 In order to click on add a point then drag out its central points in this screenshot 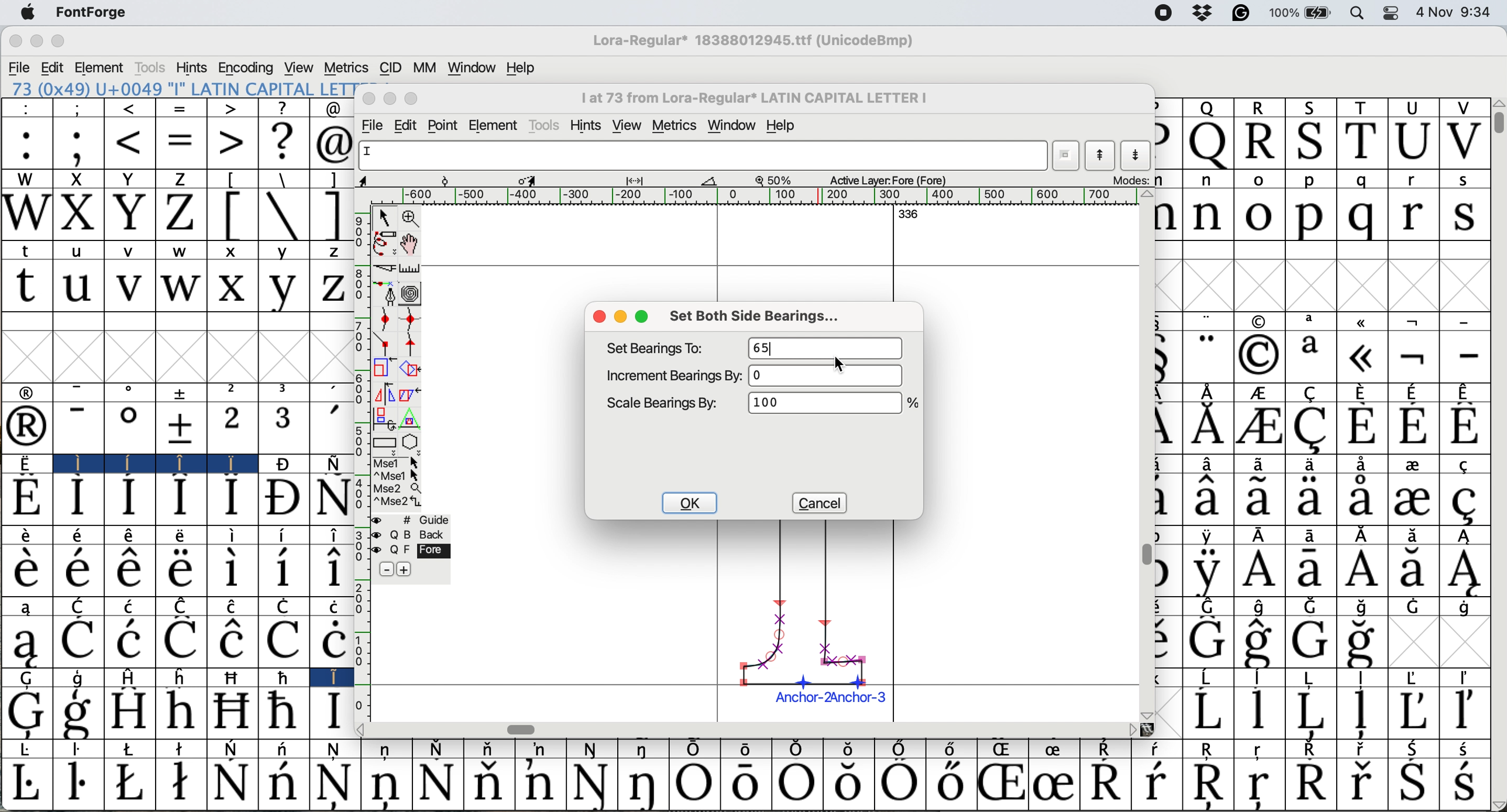, I will do `click(386, 294)`.